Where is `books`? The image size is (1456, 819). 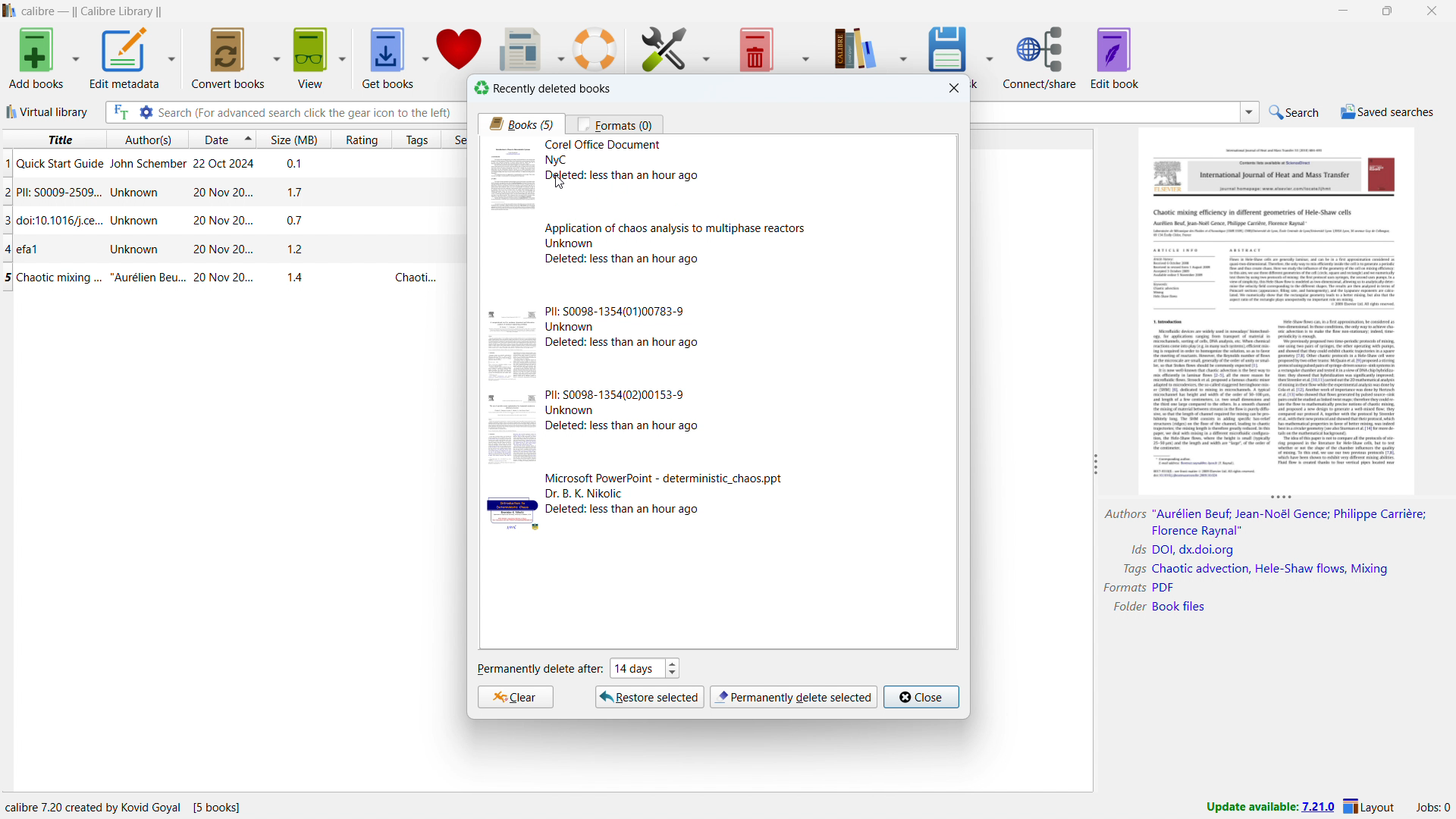 books is located at coordinates (522, 124).